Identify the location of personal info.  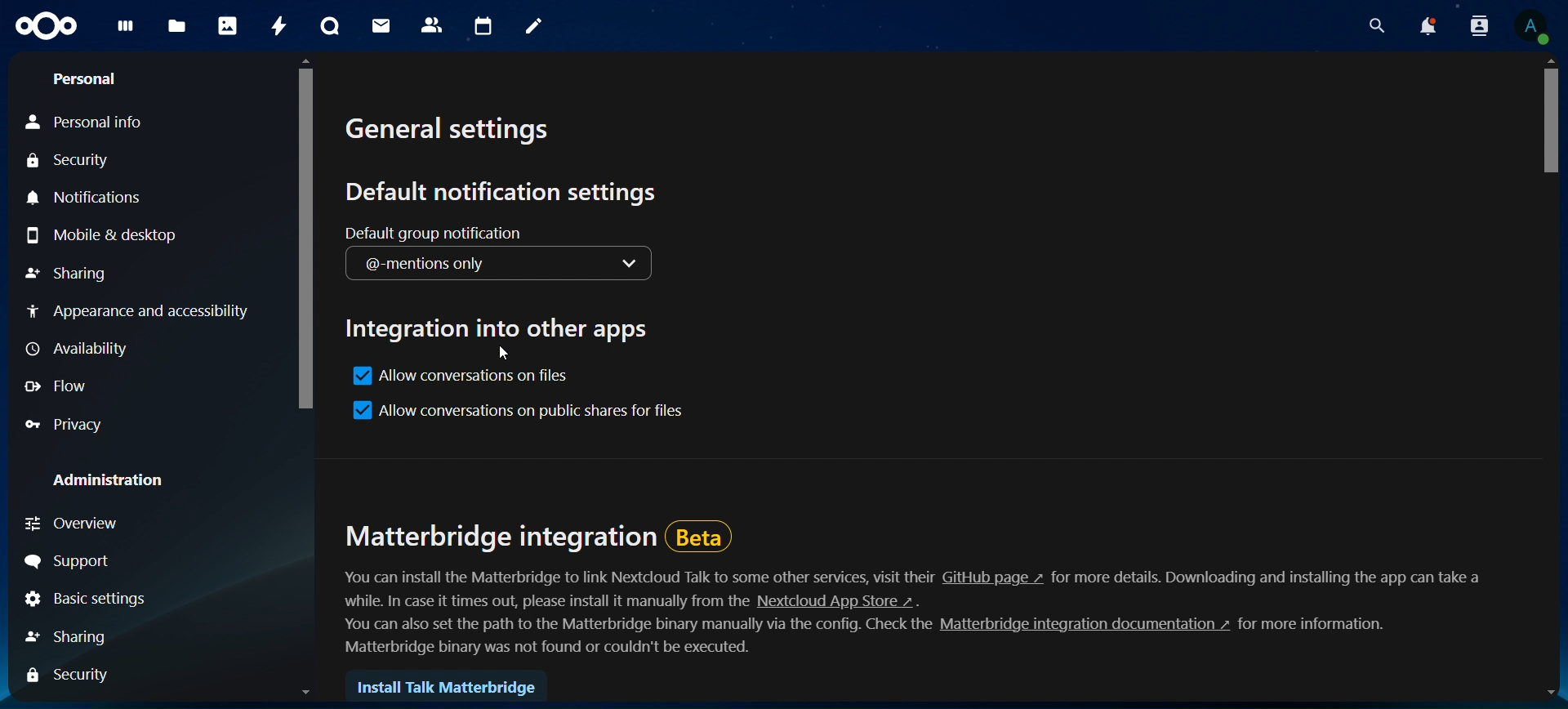
(89, 121).